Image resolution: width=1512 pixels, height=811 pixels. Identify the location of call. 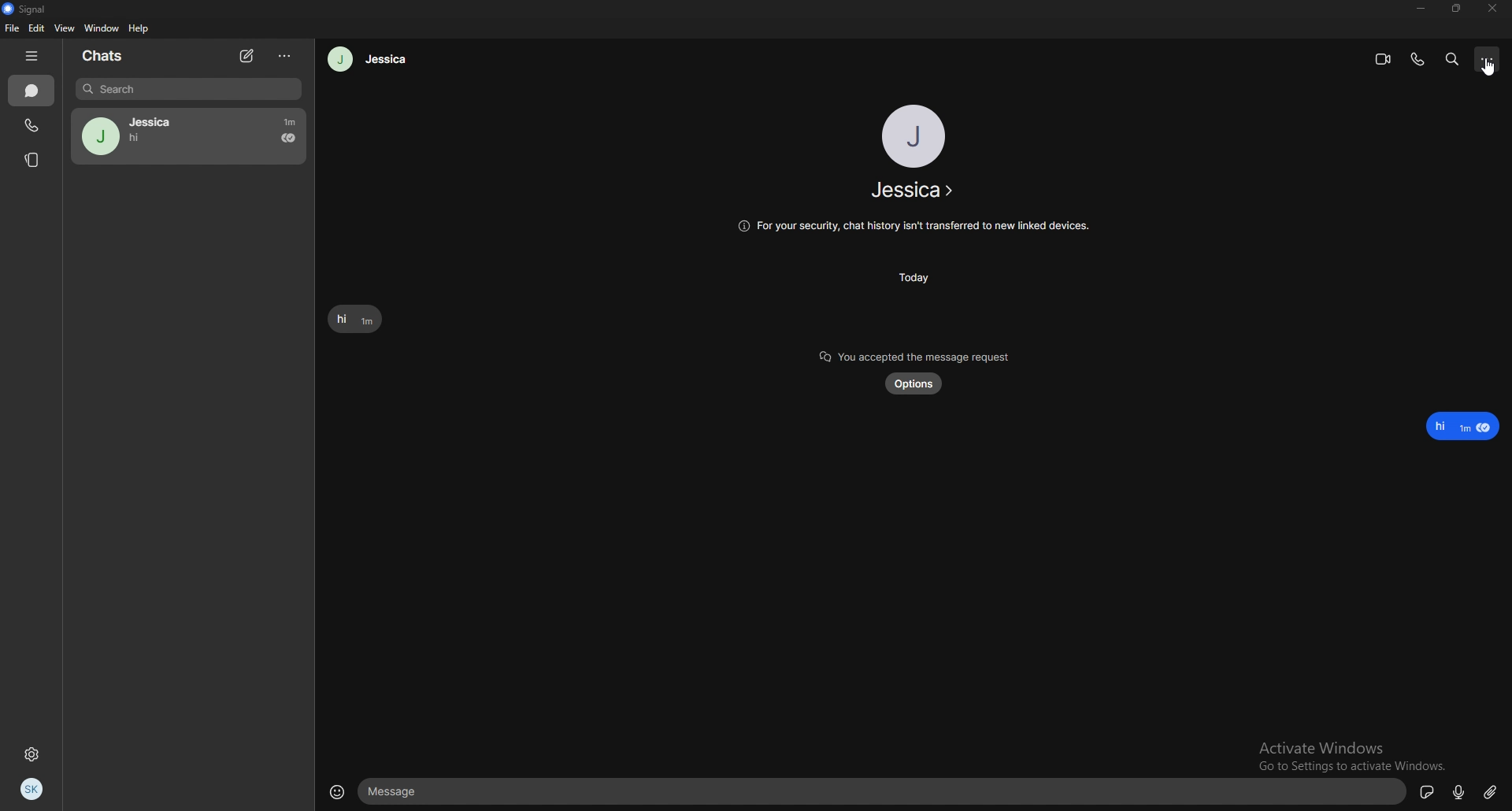
(1418, 58).